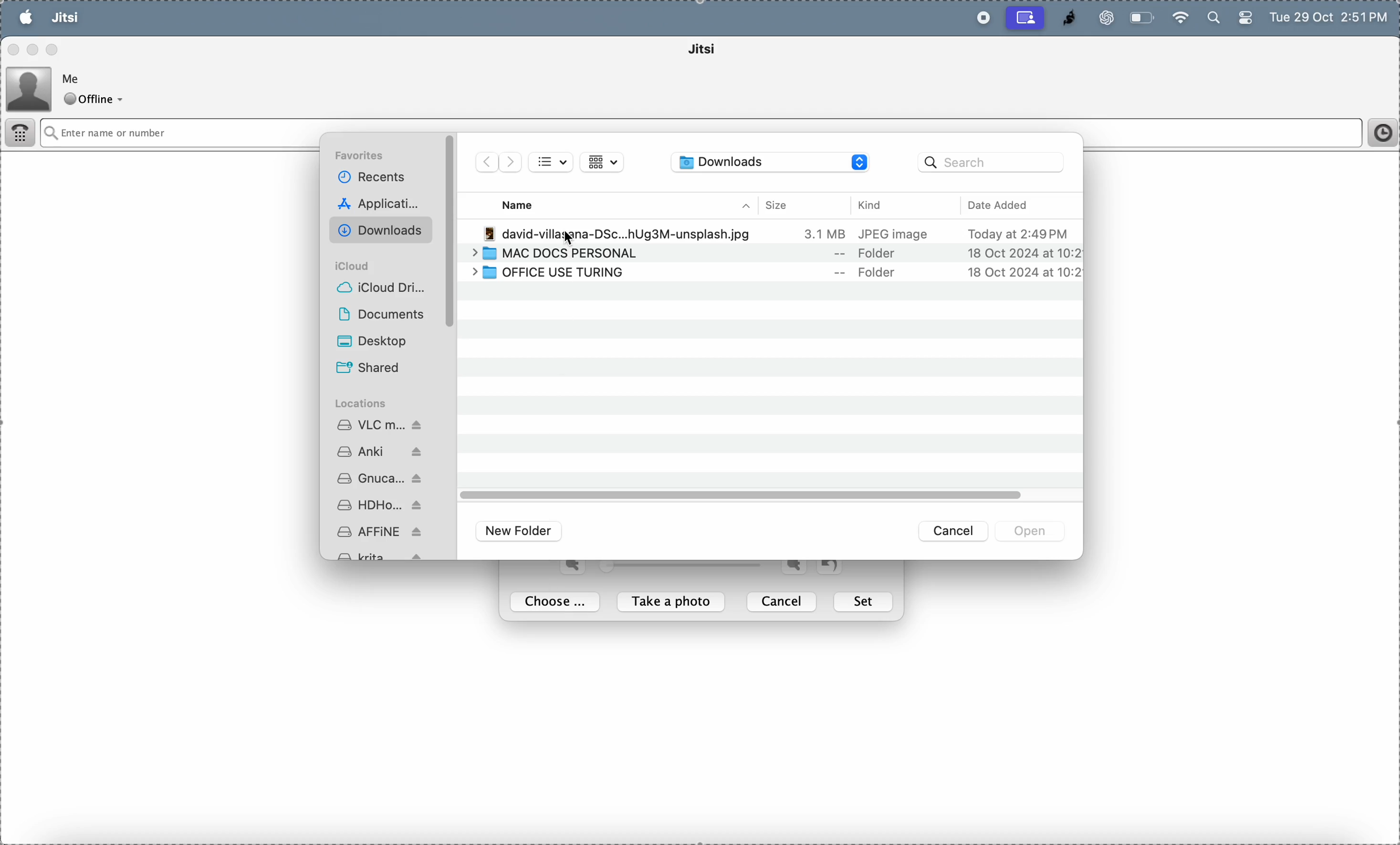 This screenshot has height=845, width=1400. What do you see at coordinates (154, 18) in the screenshot?
I see `tools` at bounding box center [154, 18].